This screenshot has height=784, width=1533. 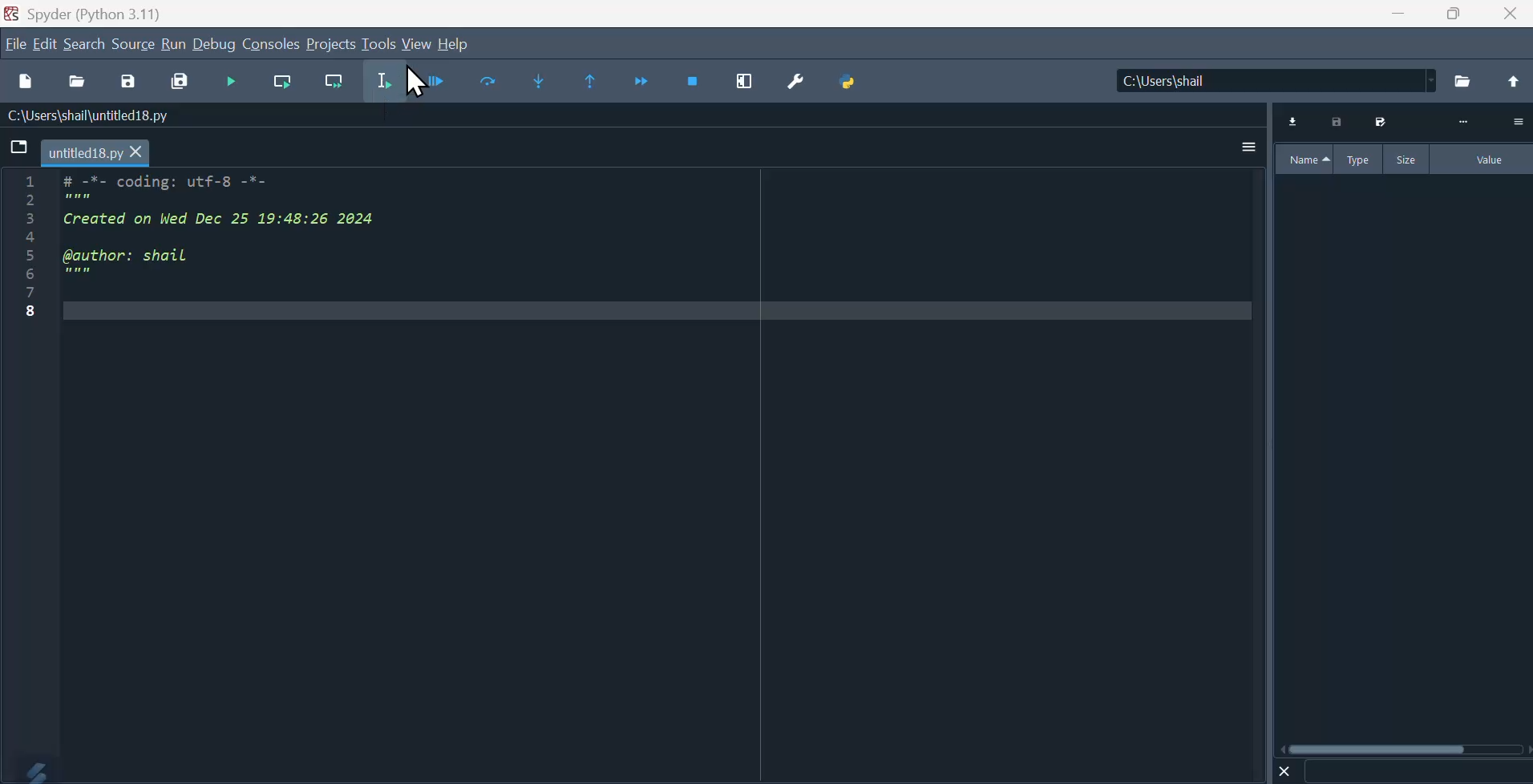 What do you see at coordinates (1338, 122) in the screenshot?
I see `Print` at bounding box center [1338, 122].